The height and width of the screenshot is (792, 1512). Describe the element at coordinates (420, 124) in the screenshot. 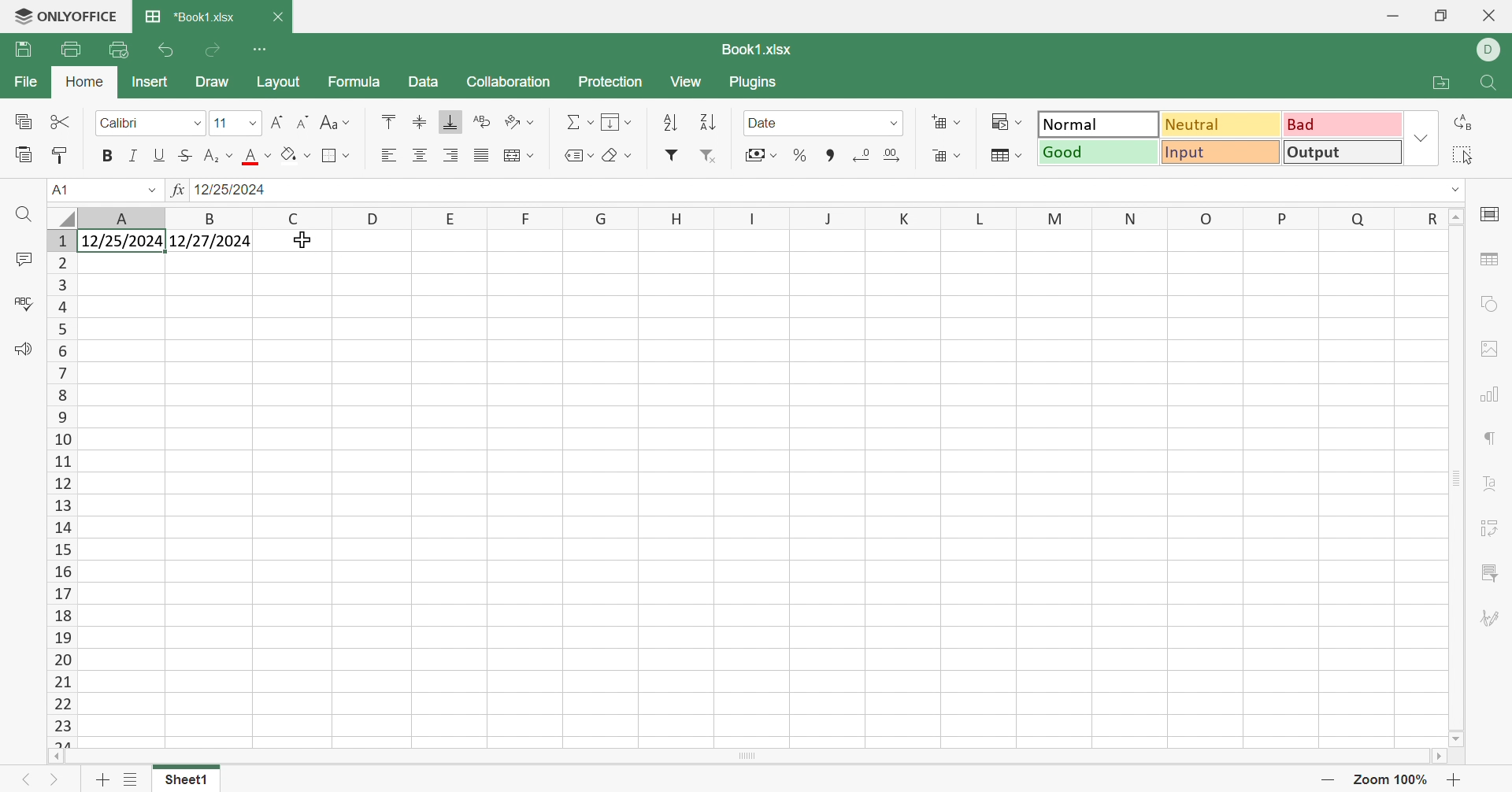

I see `Align Middle` at that location.